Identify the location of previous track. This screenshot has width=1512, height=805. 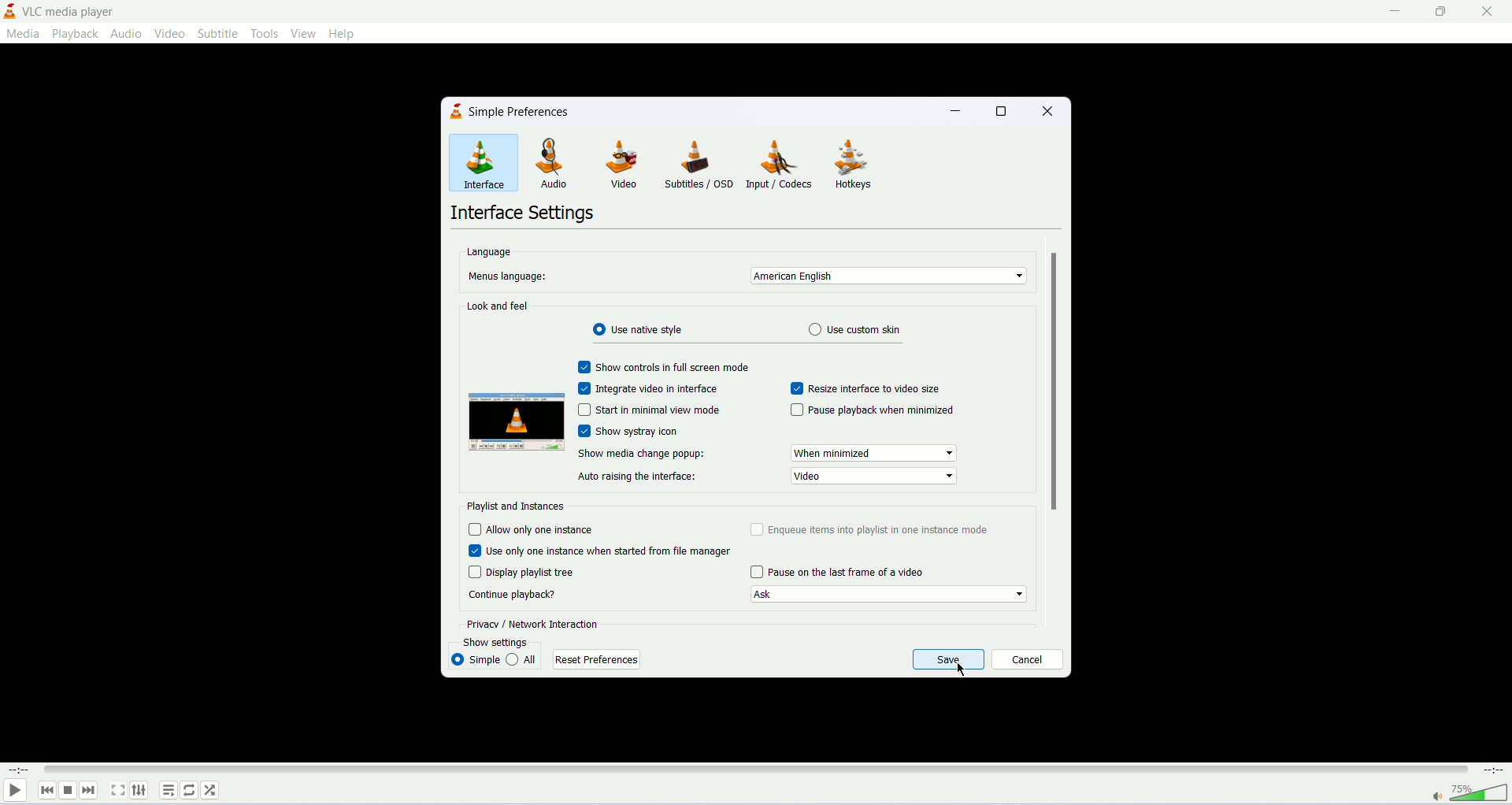
(47, 790).